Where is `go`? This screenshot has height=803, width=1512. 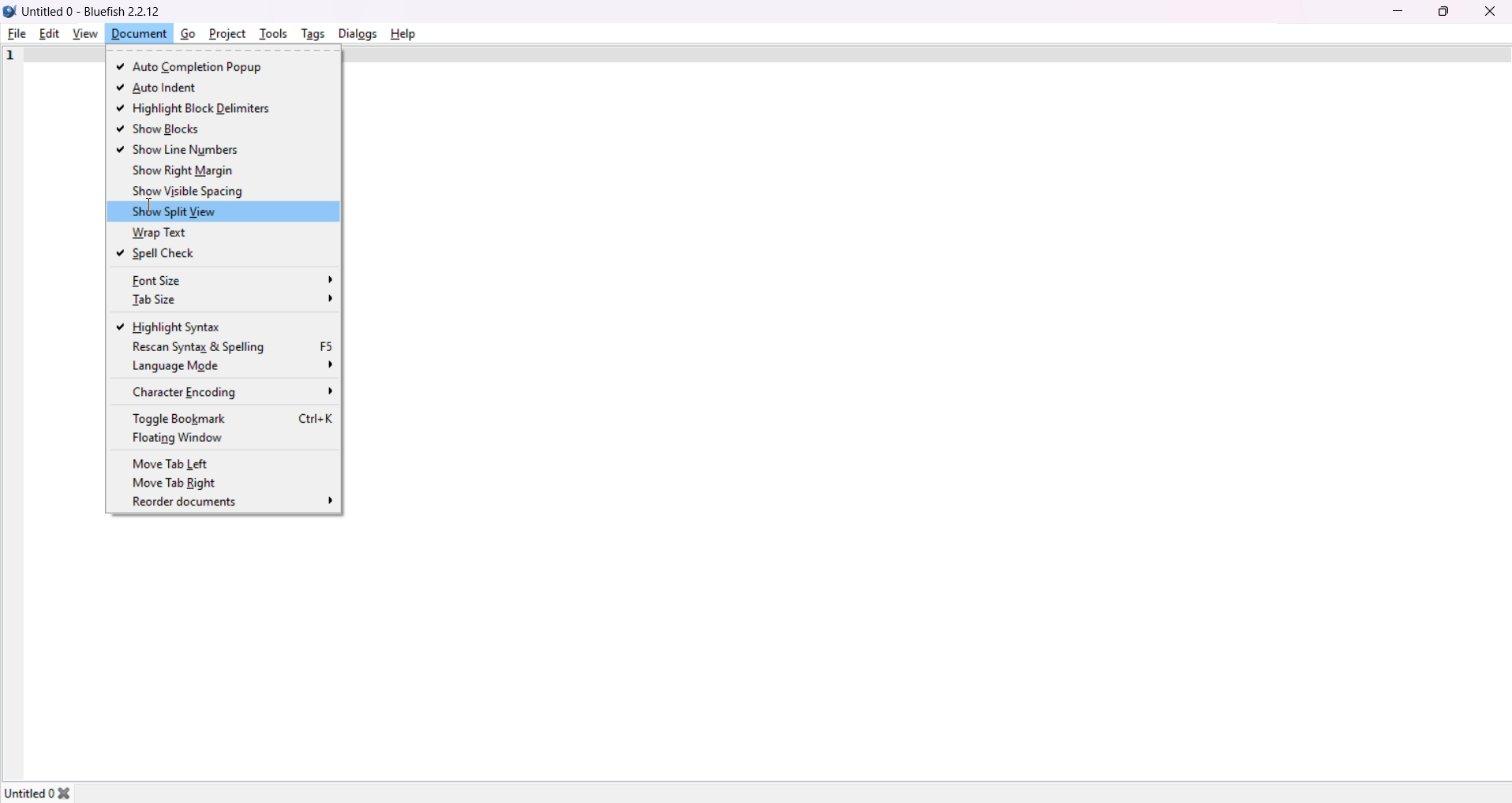
go is located at coordinates (186, 33).